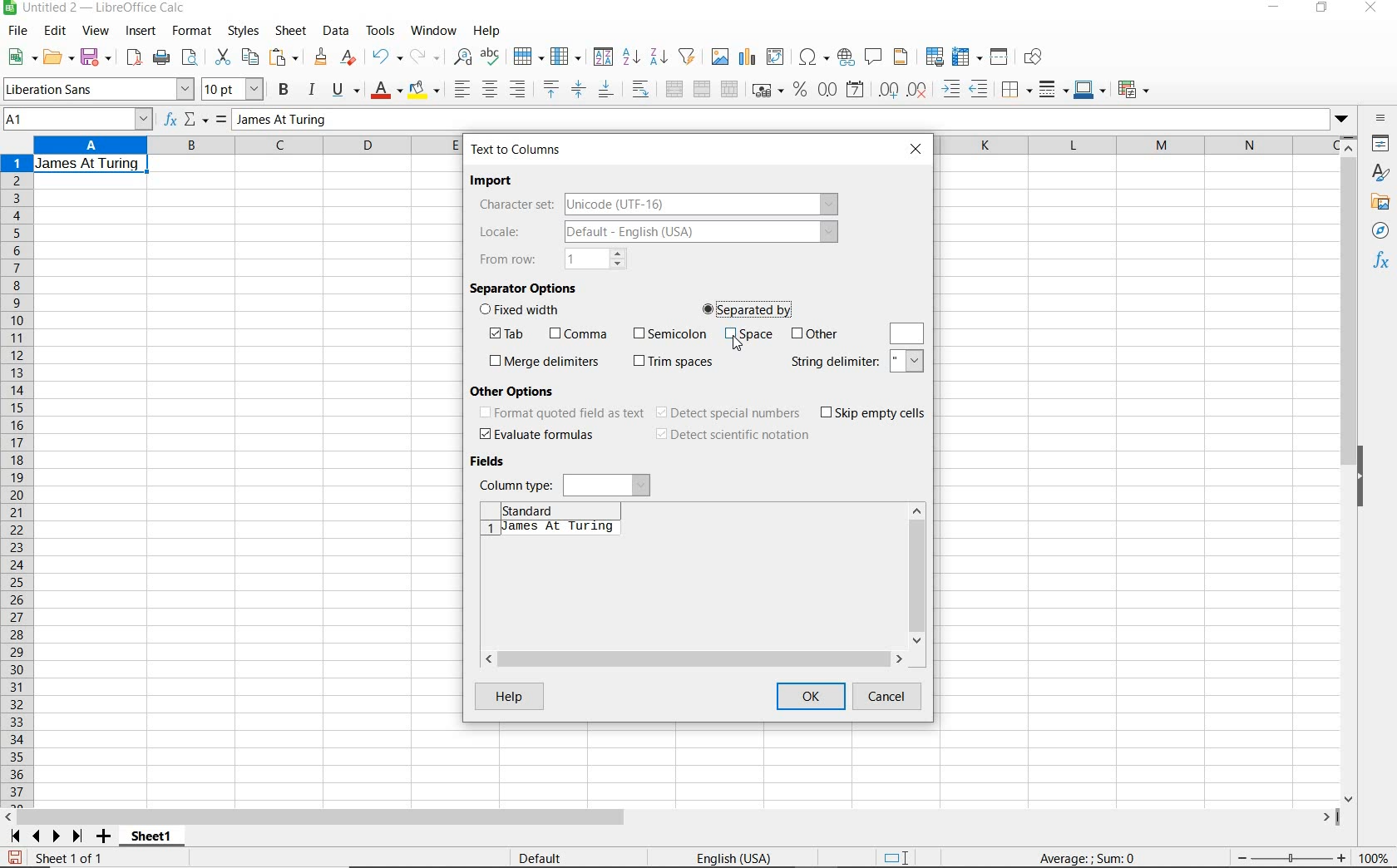 This screenshot has width=1397, height=868. I want to click on increase indent, so click(953, 89).